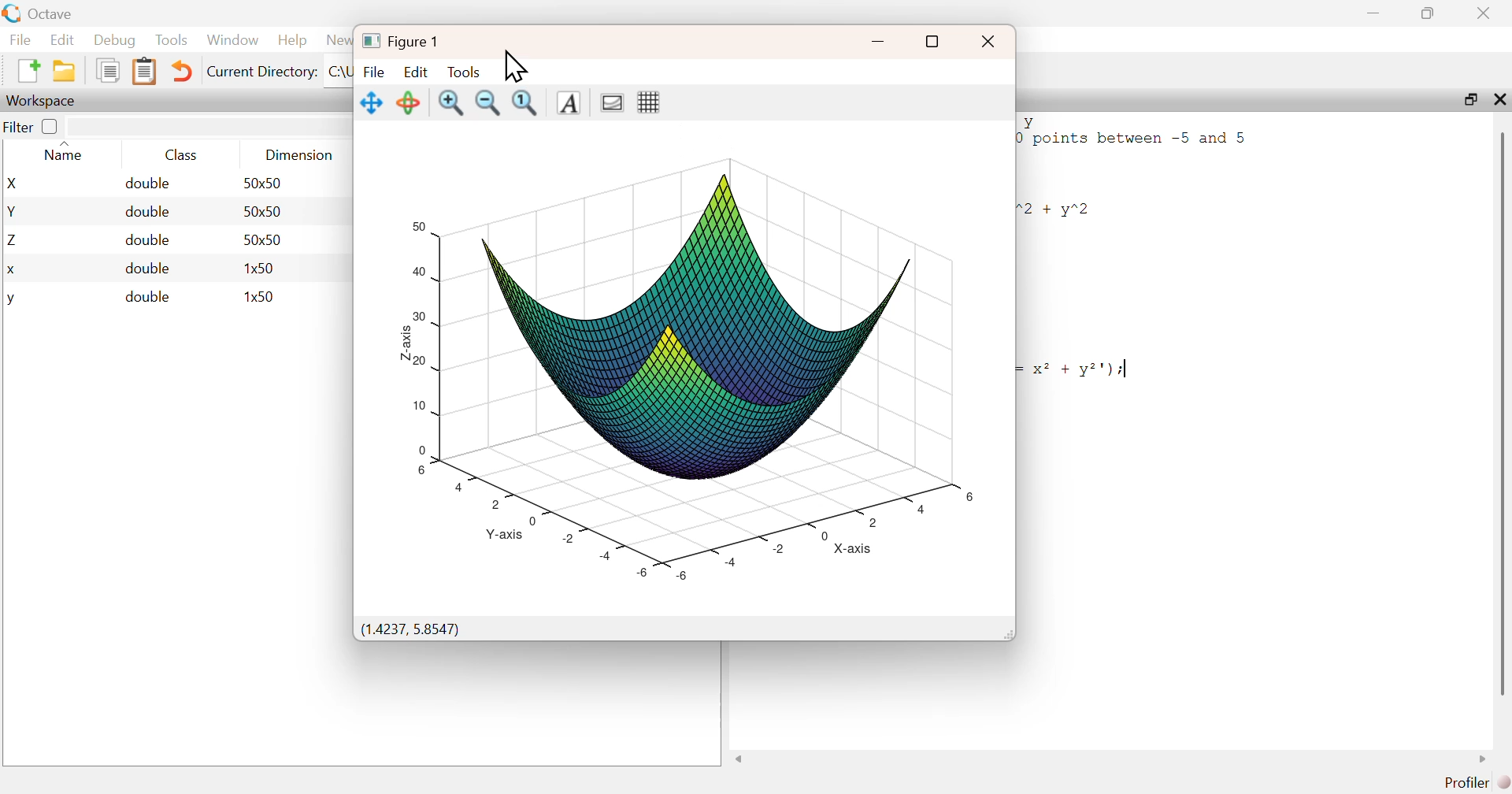  I want to click on Window, so click(232, 39).